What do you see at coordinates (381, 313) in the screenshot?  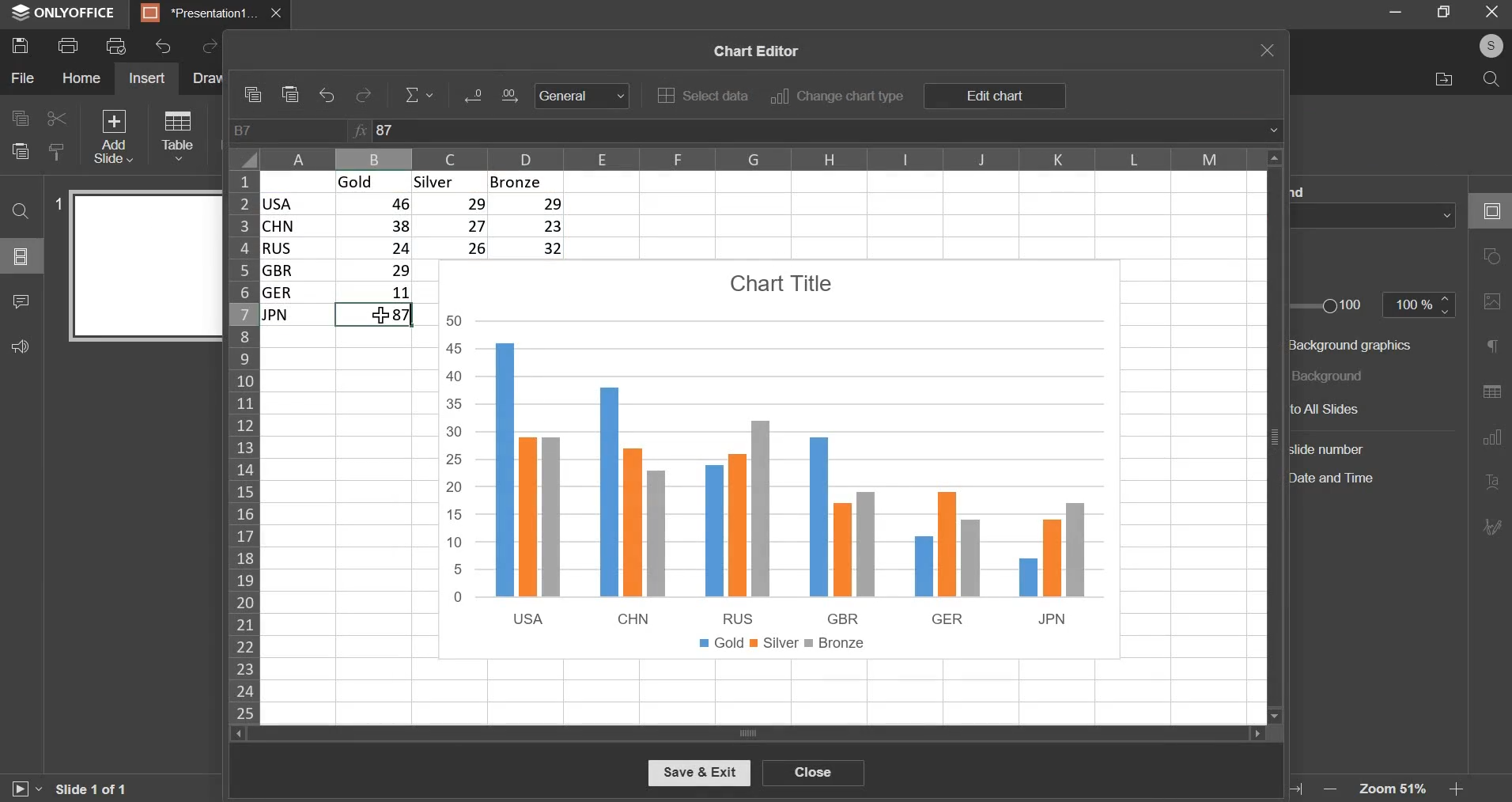 I see `mouse pointer` at bounding box center [381, 313].